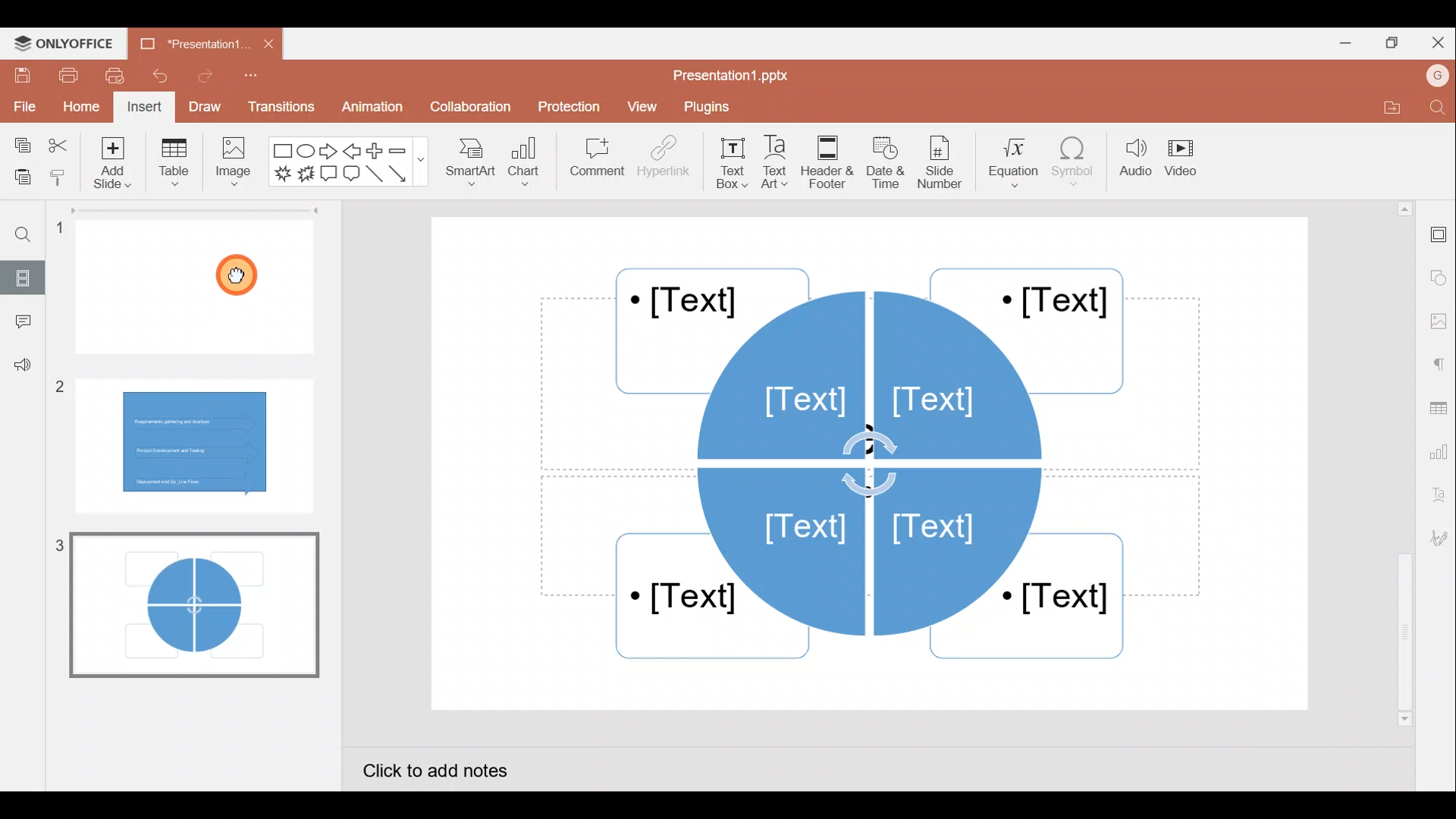 This screenshot has width=1456, height=819. Describe the element at coordinates (158, 77) in the screenshot. I see `Undo` at that location.